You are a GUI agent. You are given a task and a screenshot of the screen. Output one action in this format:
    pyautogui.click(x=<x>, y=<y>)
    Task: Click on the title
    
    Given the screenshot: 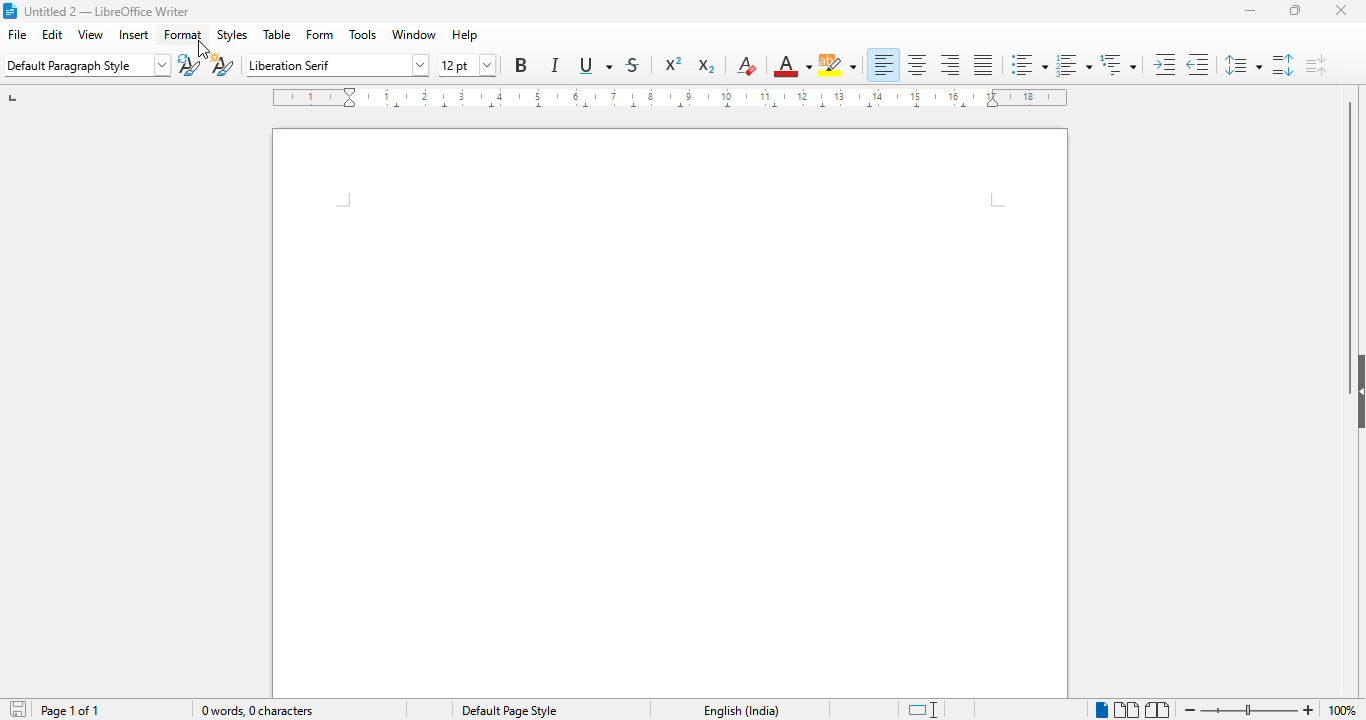 What is the action you would take?
    pyautogui.click(x=108, y=11)
    